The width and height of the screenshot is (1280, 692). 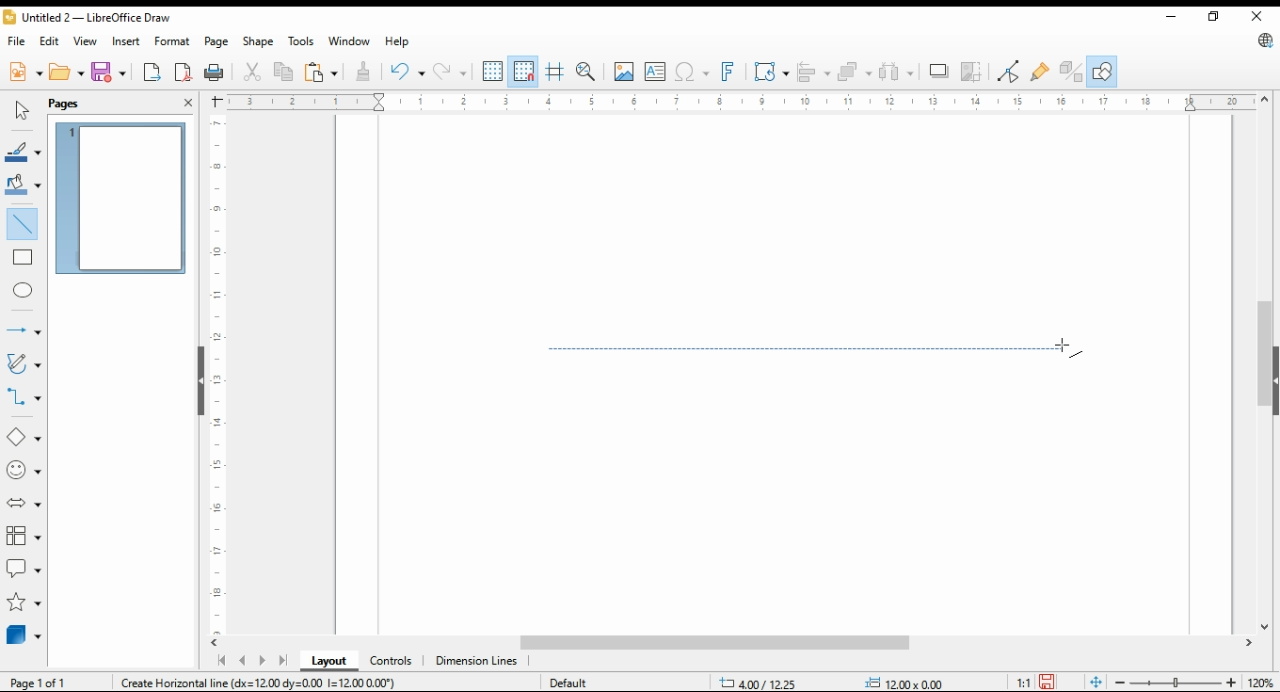 I want to click on edit, so click(x=48, y=39).